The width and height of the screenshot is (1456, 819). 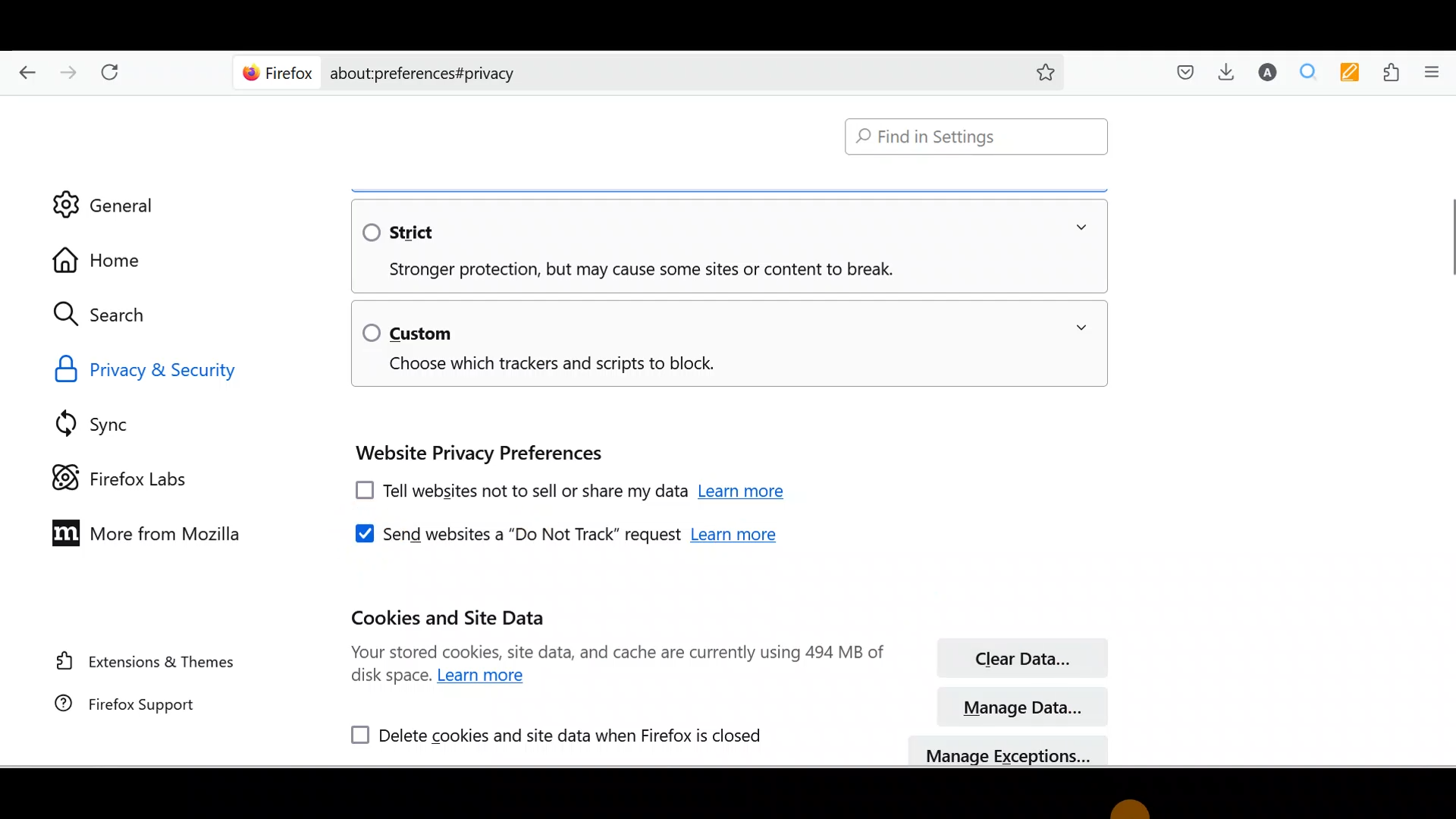 What do you see at coordinates (977, 137) in the screenshot?
I see `Find in Settings` at bounding box center [977, 137].